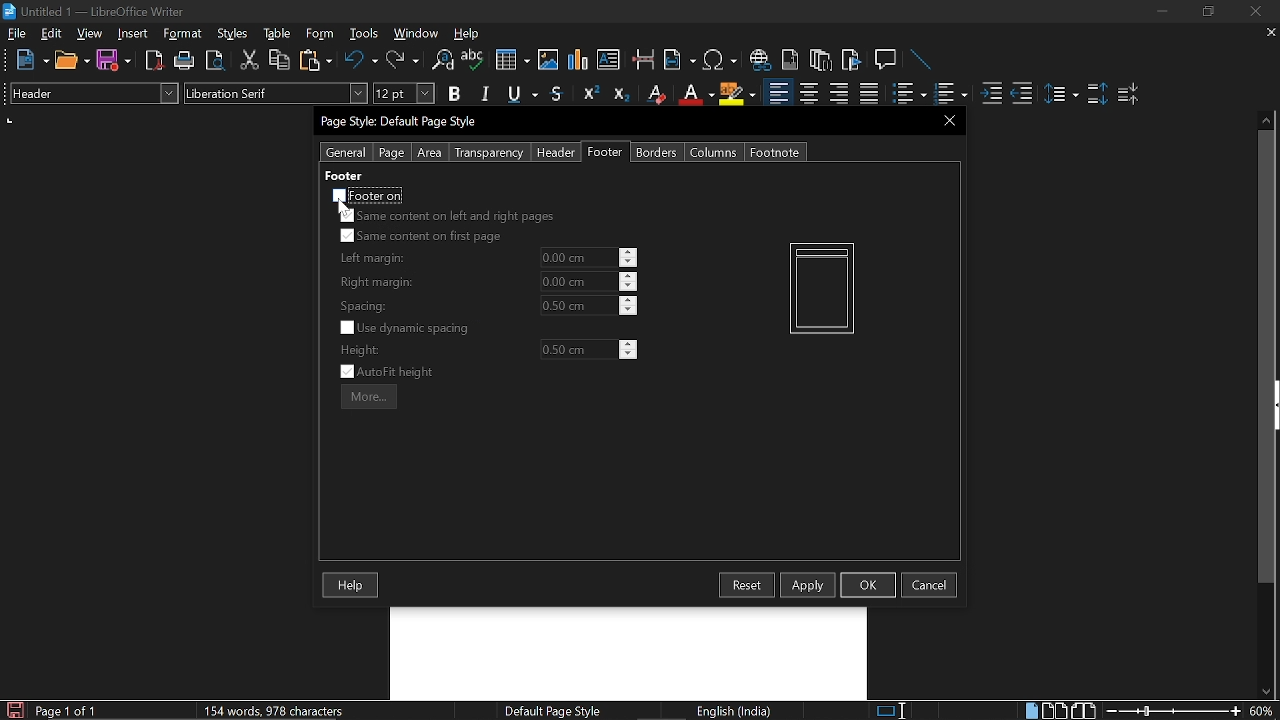  What do you see at coordinates (714, 152) in the screenshot?
I see `Columns` at bounding box center [714, 152].